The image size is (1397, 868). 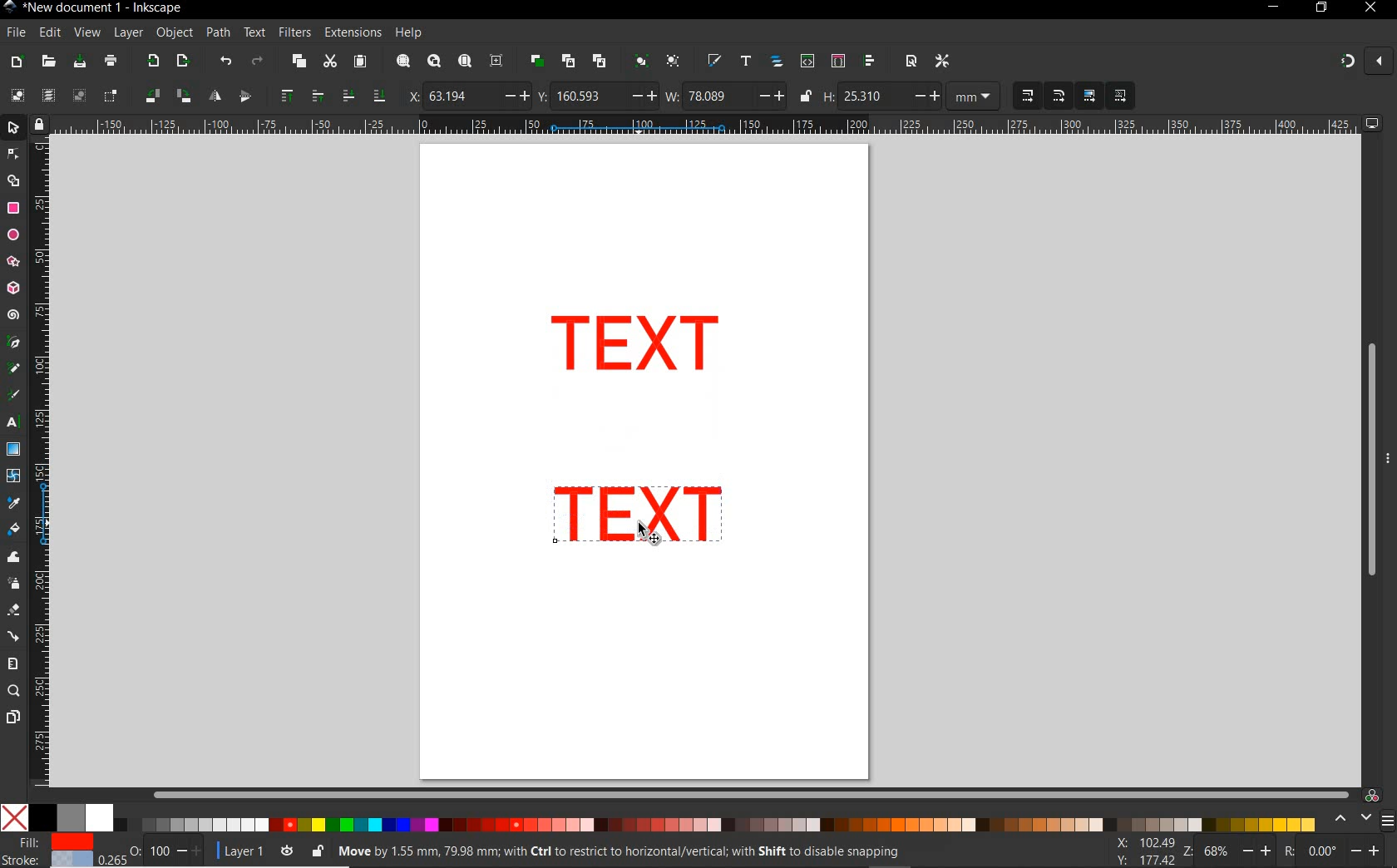 I want to click on toggle current layer visibility, so click(x=287, y=848).